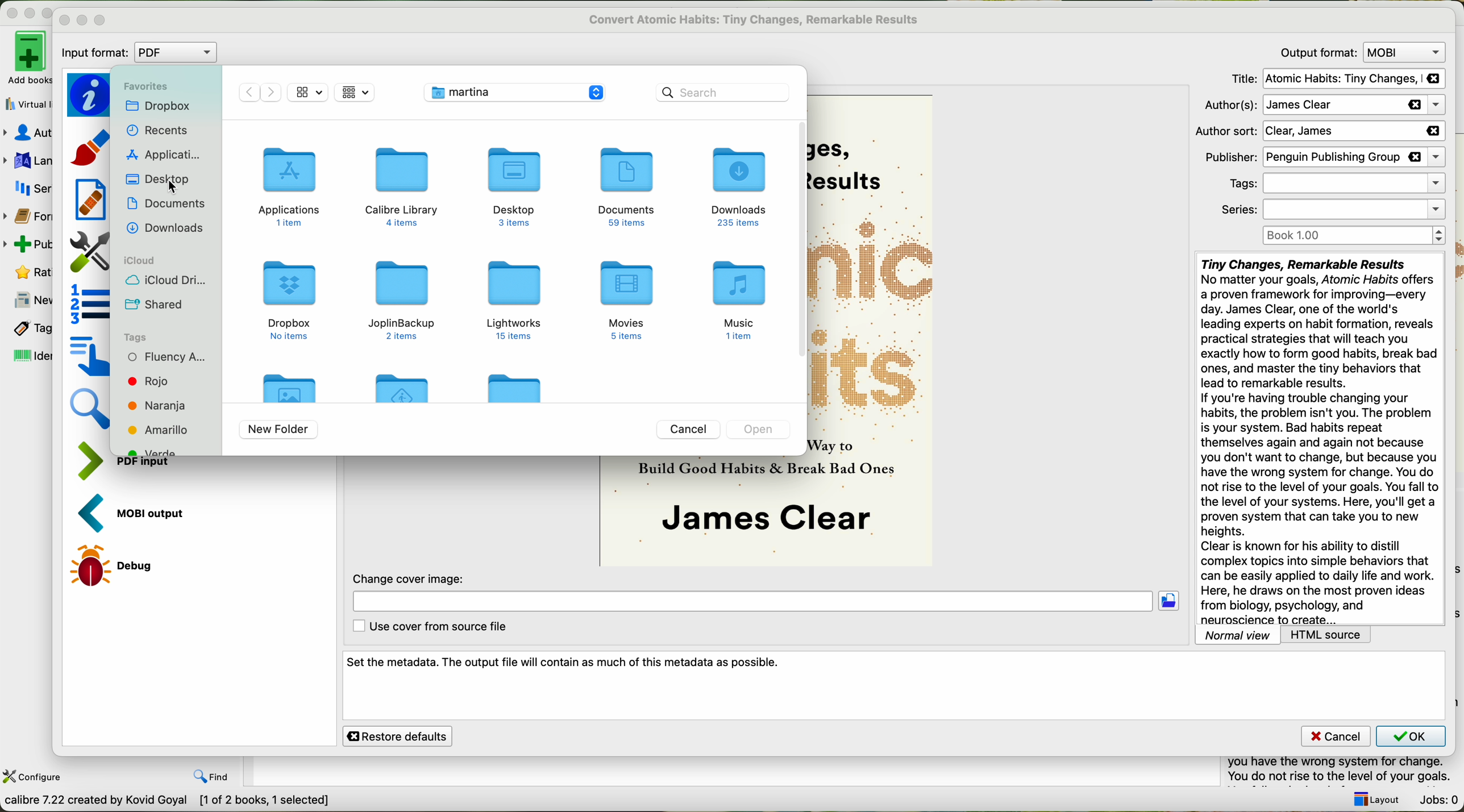  What do you see at coordinates (289, 182) in the screenshot?
I see `application folder` at bounding box center [289, 182].